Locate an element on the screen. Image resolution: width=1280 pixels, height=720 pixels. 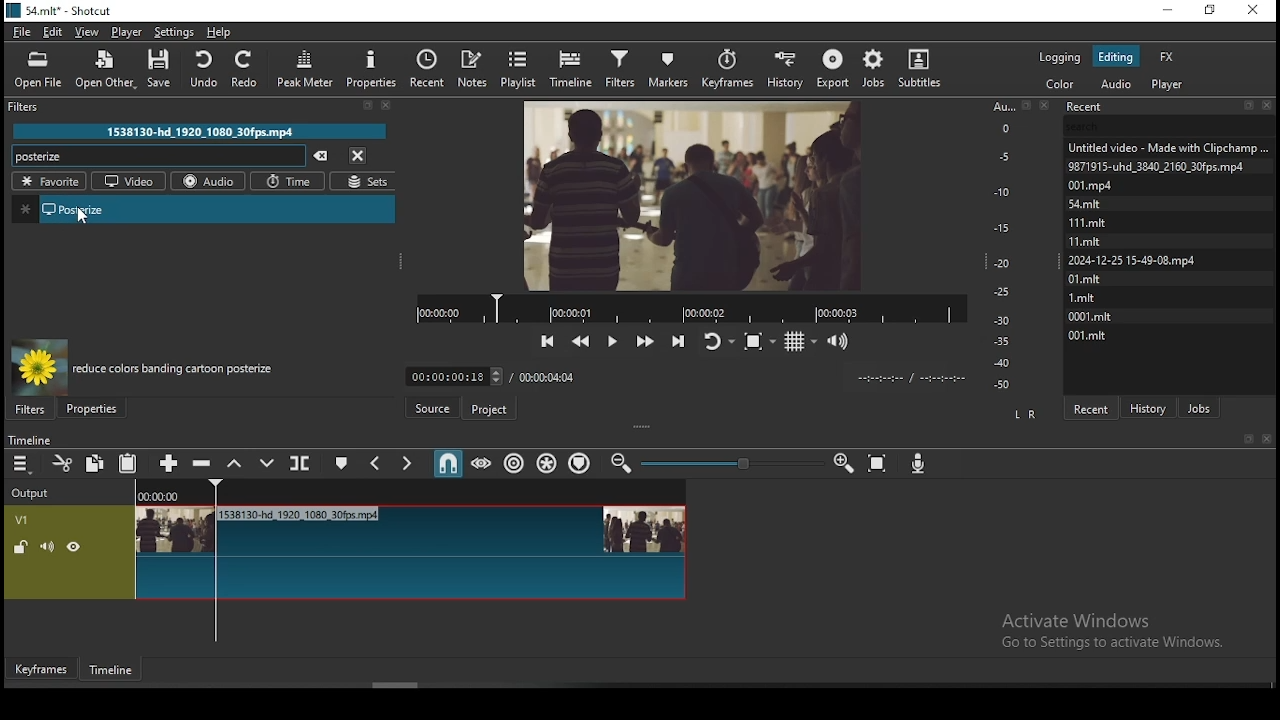
ripple markers is located at coordinates (578, 464).